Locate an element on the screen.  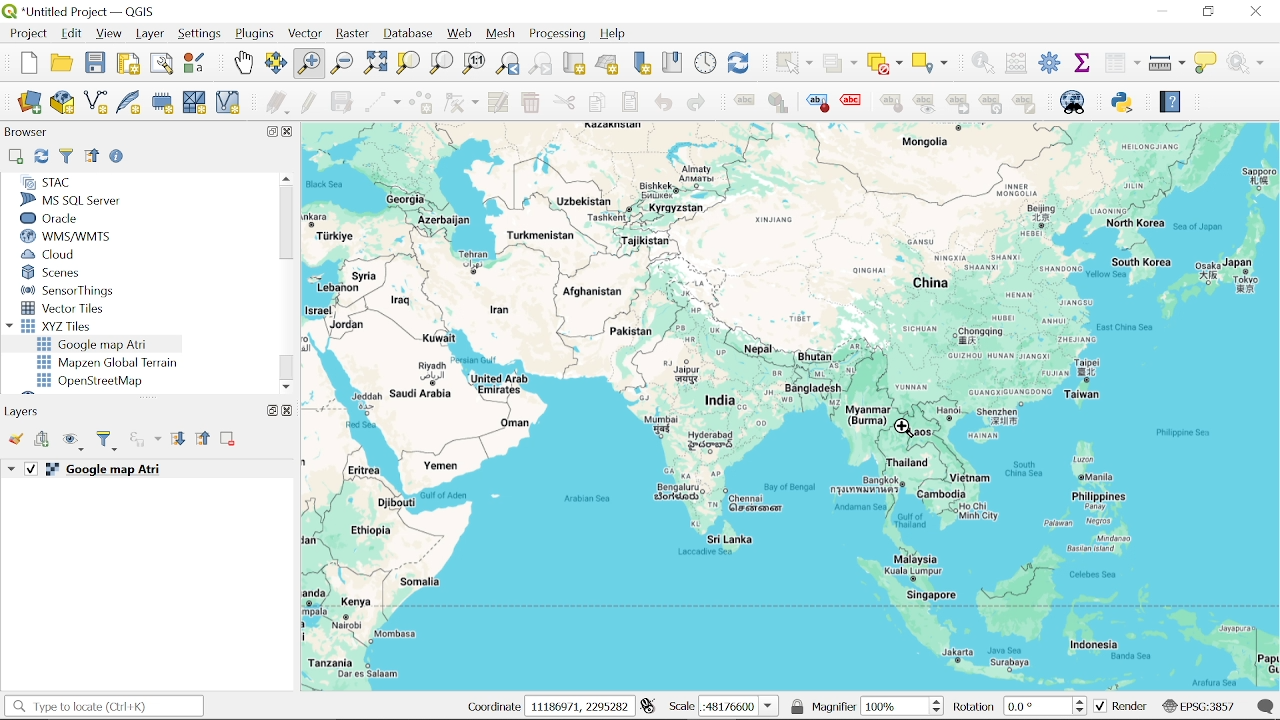
Layer labelling is located at coordinates (741, 103).